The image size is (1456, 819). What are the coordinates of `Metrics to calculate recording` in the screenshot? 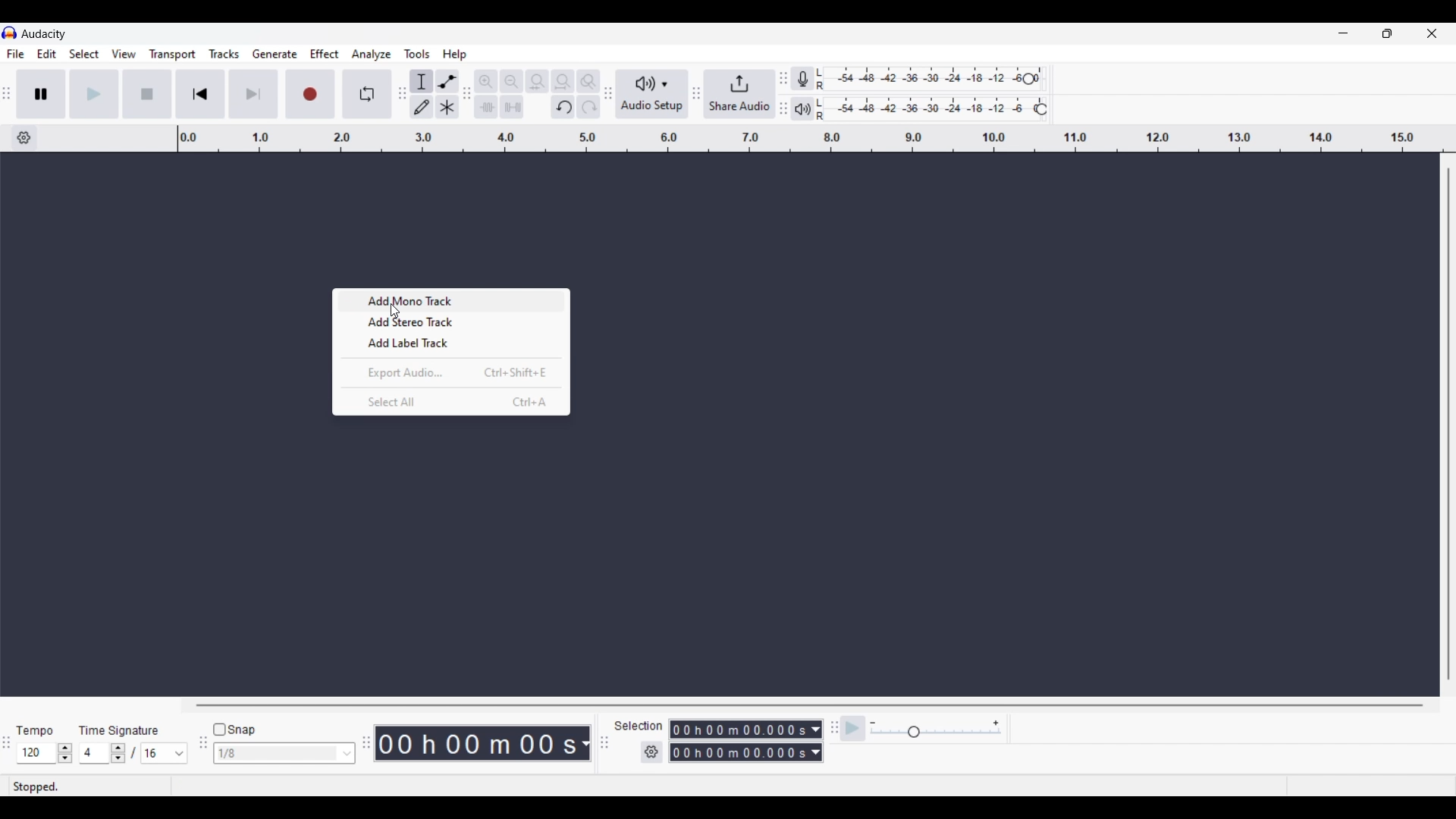 It's located at (585, 743).